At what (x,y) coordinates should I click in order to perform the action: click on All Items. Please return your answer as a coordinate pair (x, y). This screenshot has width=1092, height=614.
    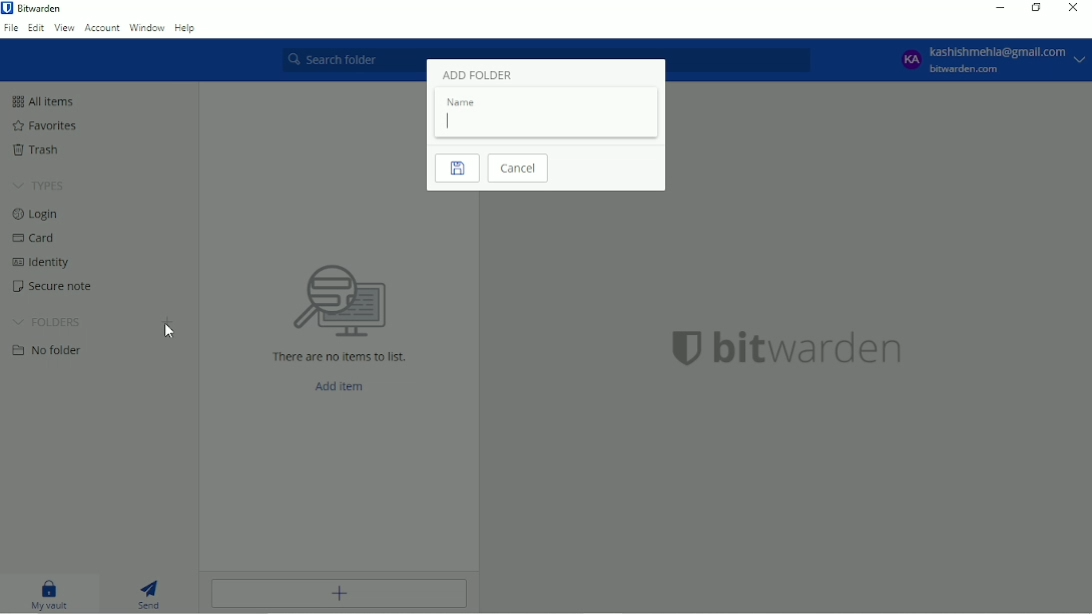
    Looking at the image, I should click on (44, 101).